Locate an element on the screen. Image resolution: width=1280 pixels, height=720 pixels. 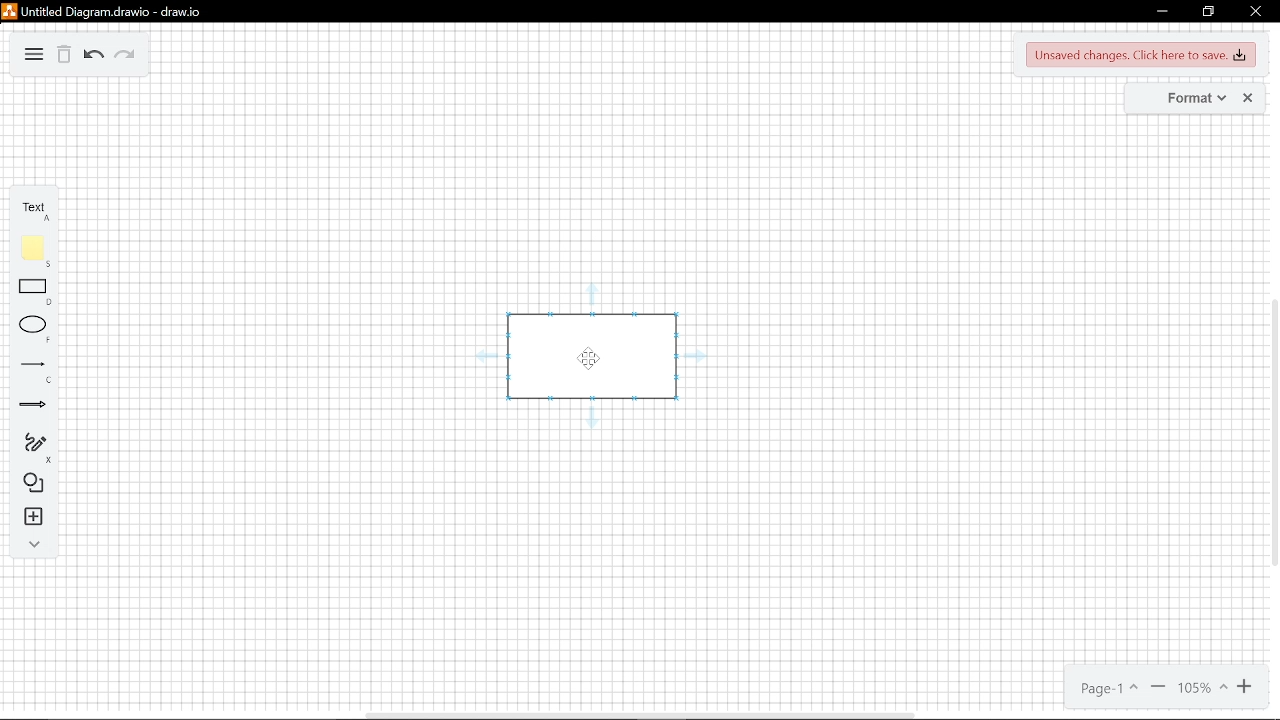
undo is located at coordinates (95, 56).